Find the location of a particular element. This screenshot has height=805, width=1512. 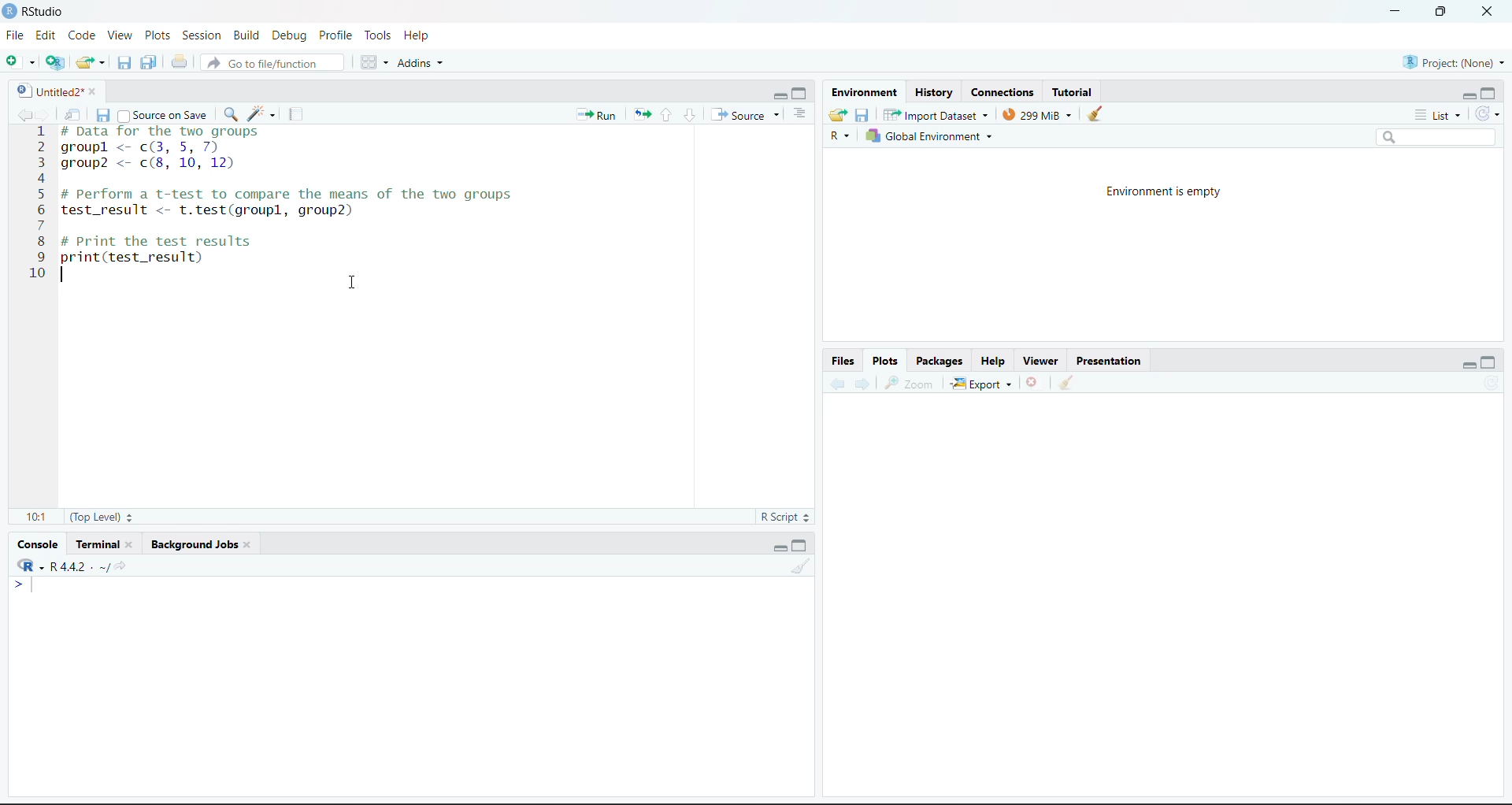

Packages is located at coordinates (940, 360).